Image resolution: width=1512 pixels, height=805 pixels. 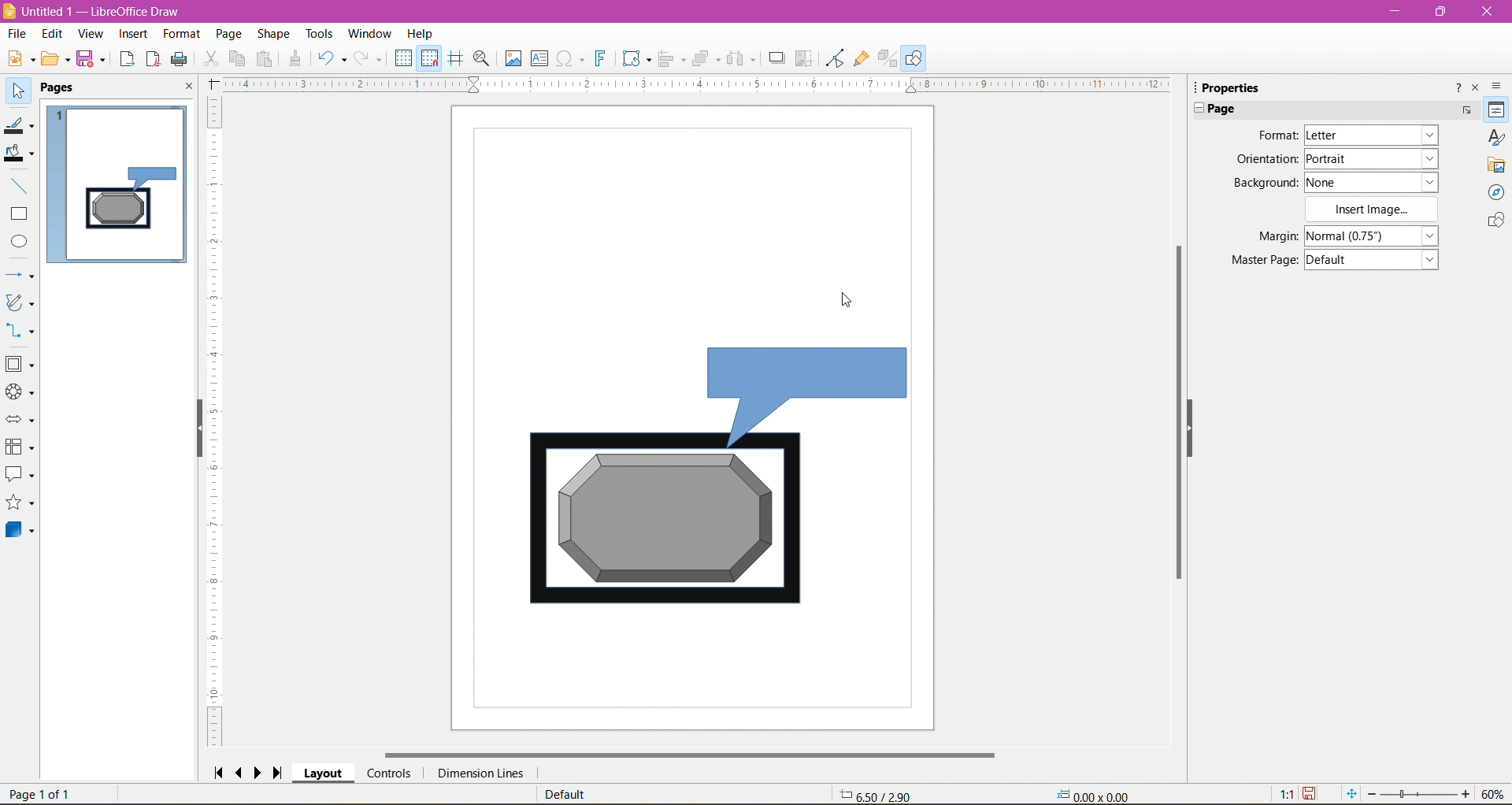 I want to click on Cut, so click(x=210, y=60).